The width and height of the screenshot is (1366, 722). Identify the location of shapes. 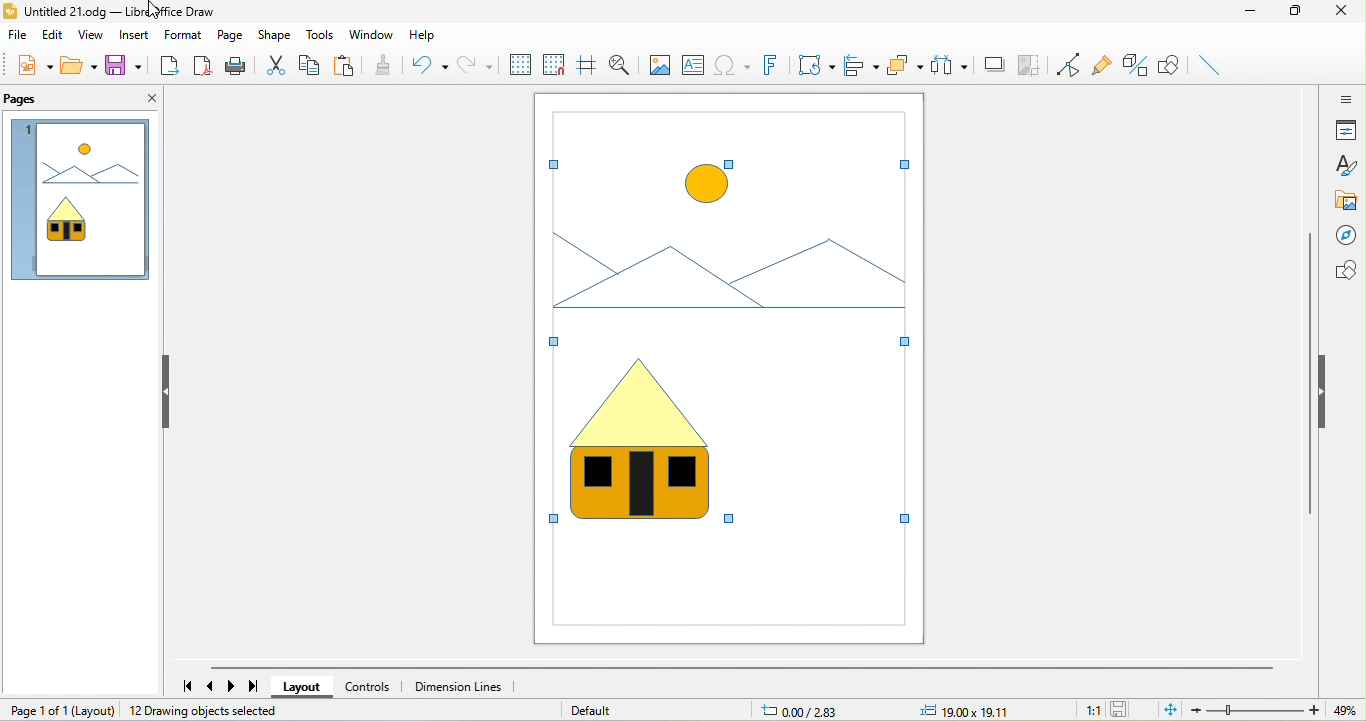
(1342, 271).